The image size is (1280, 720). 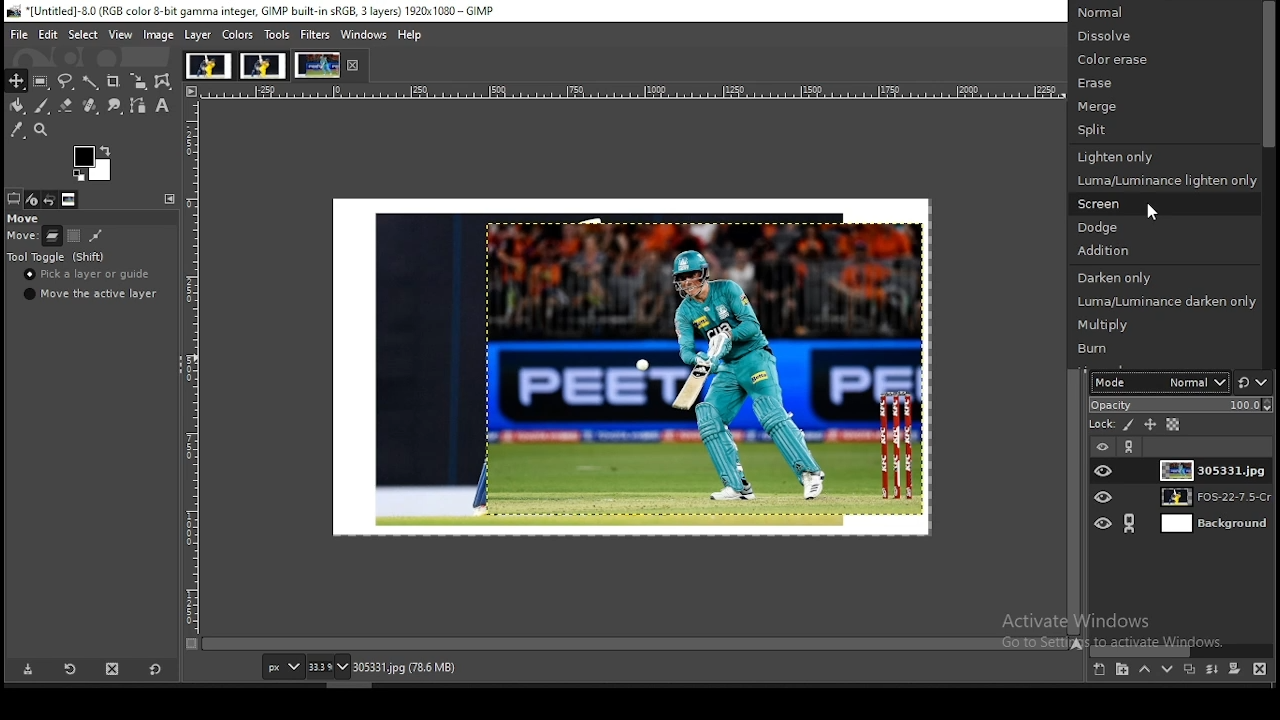 What do you see at coordinates (1205, 523) in the screenshot?
I see `layer` at bounding box center [1205, 523].